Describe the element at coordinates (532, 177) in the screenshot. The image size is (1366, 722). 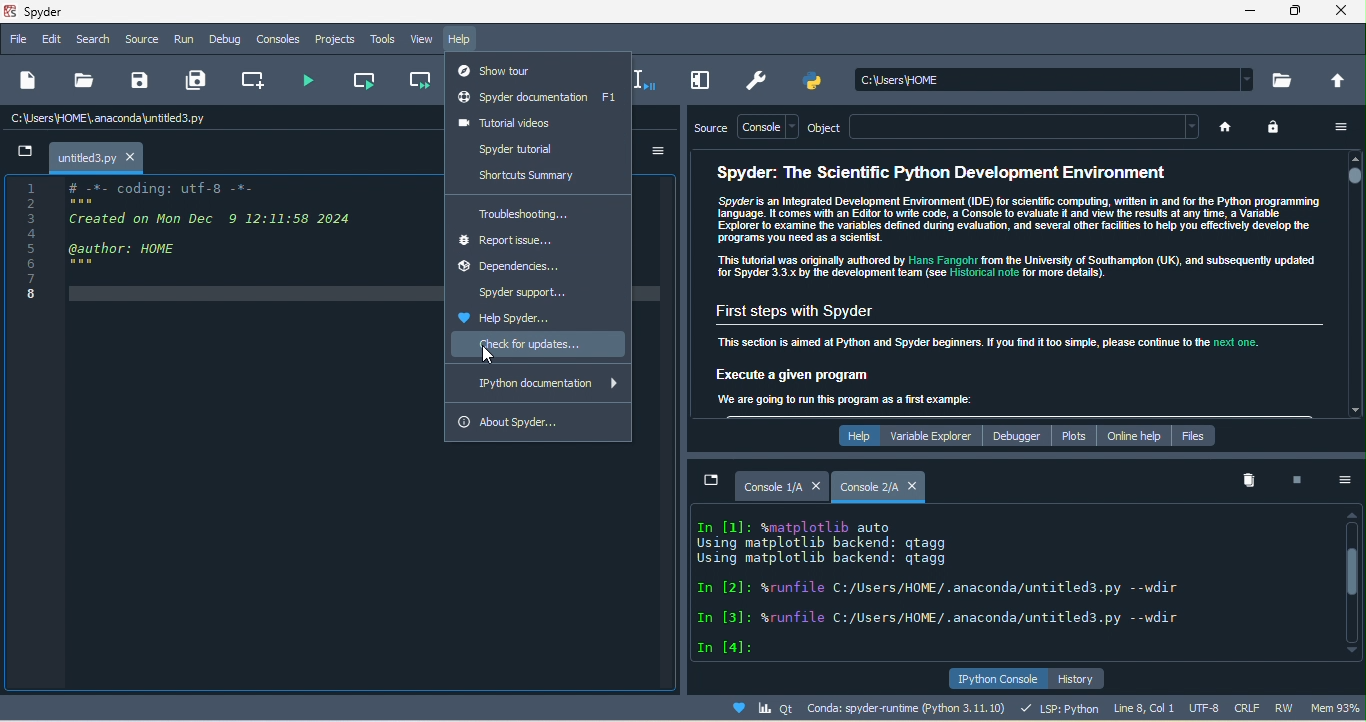
I see `shortcuts summary` at that location.